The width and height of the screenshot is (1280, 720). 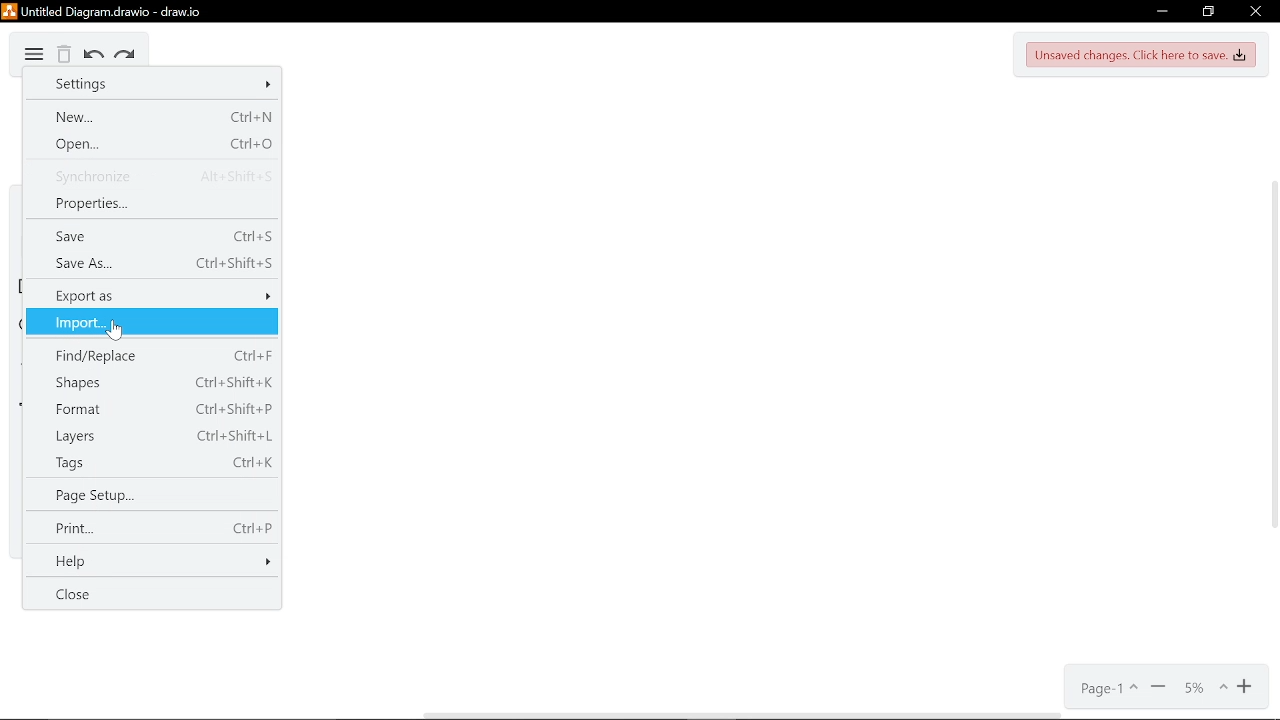 I want to click on Export as, so click(x=150, y=293).